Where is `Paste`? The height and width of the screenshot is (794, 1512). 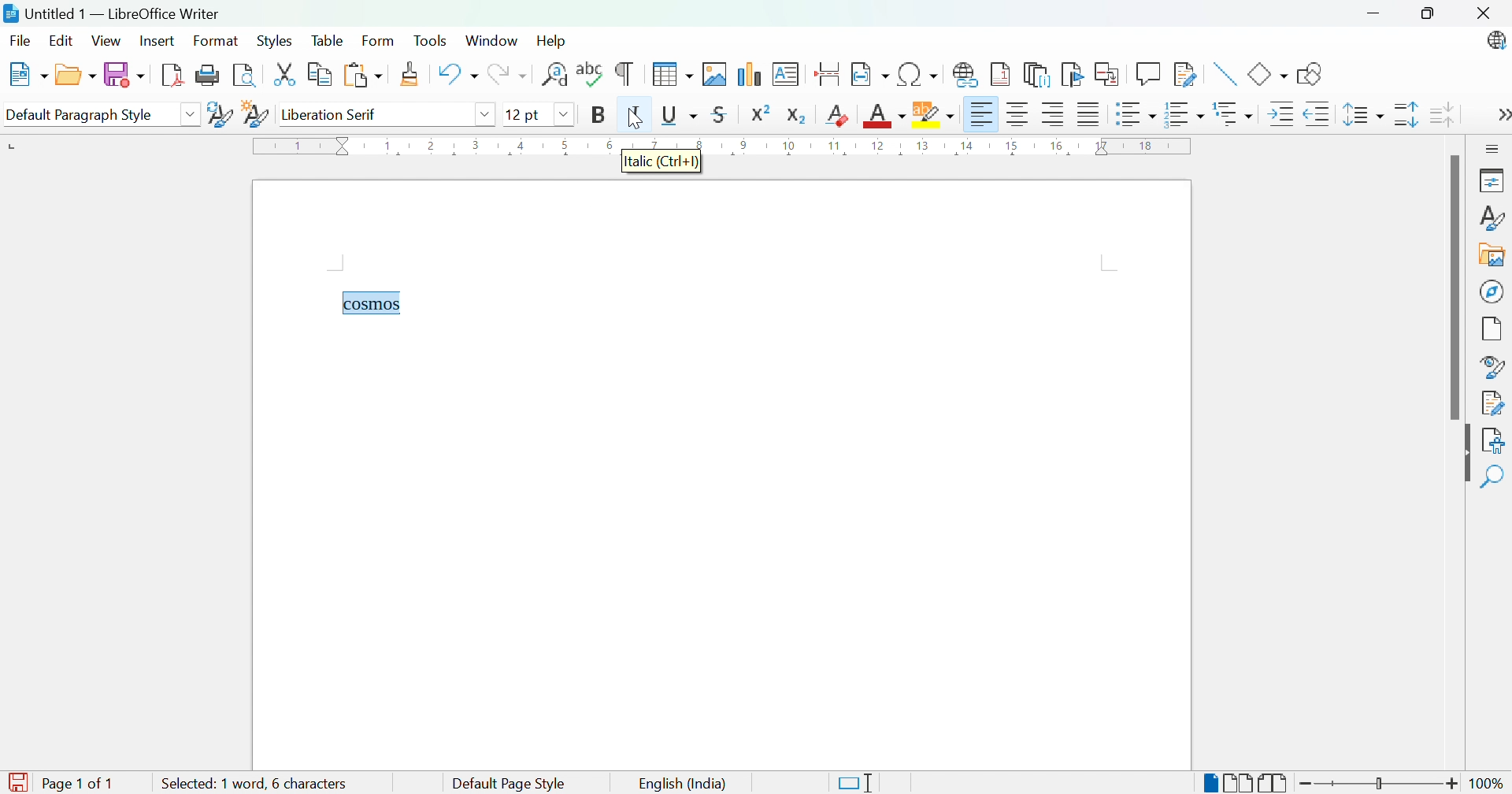
Paste is located at coordinates (362, 73).